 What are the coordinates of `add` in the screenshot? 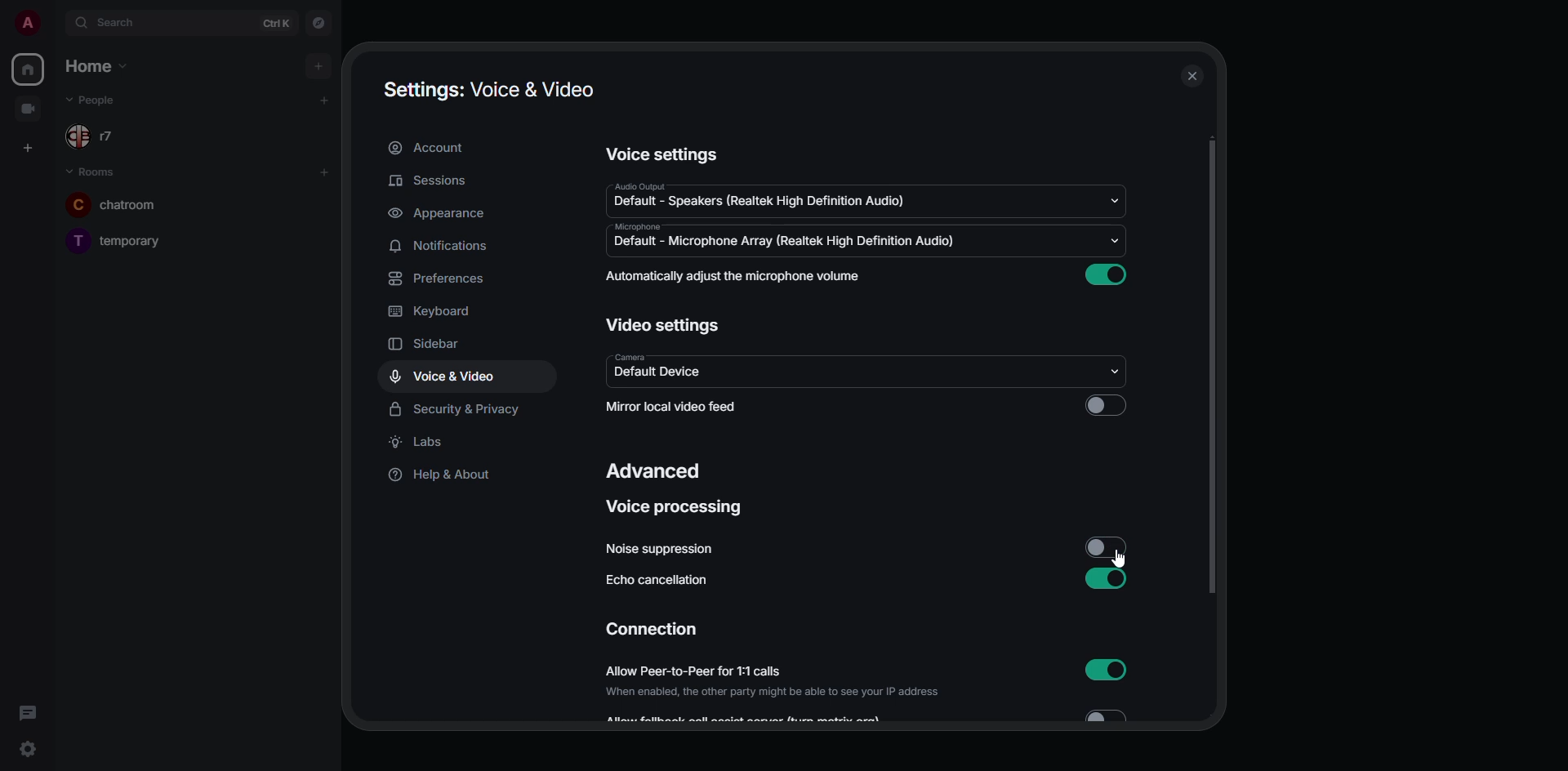 It's located at (323, 100).